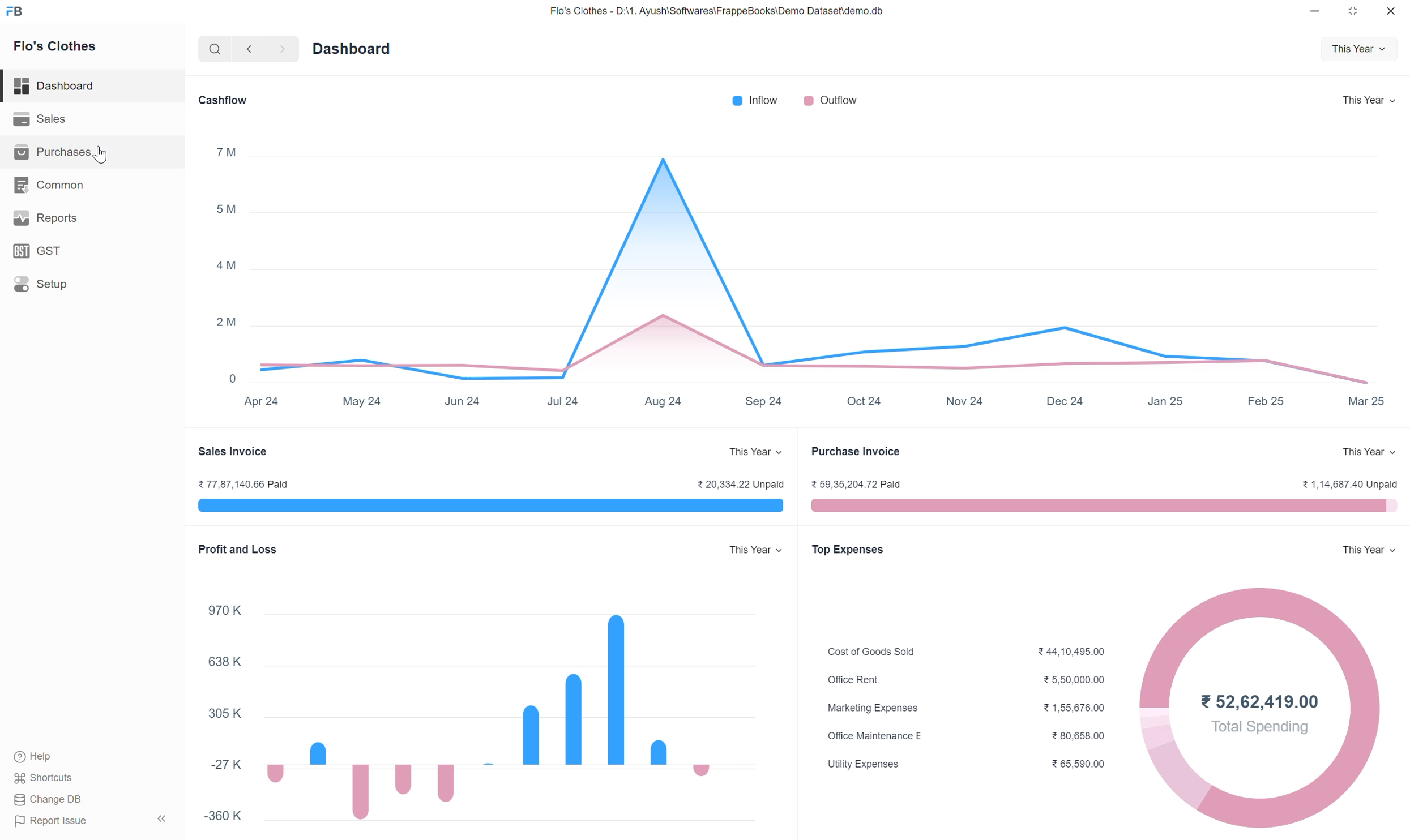  I want to click on flo's clothes, so click(56, 46).